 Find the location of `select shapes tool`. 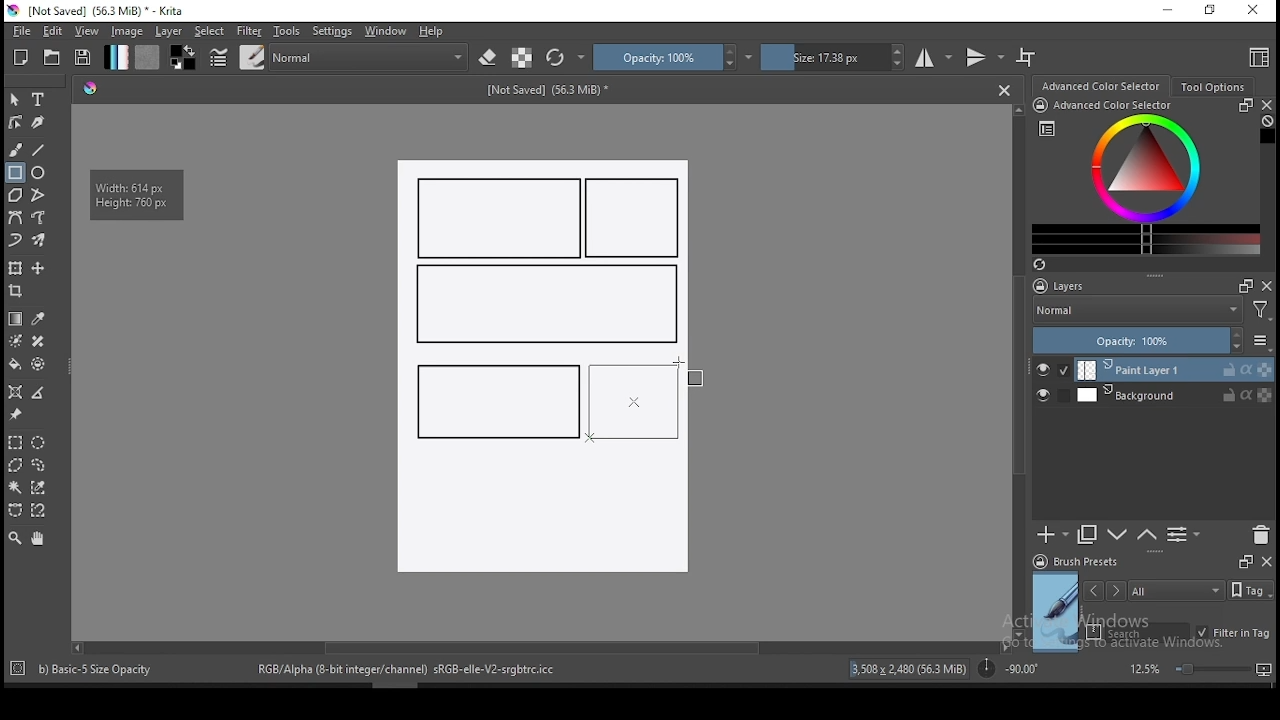

select shapes tool is located at coordinates (15, 99).